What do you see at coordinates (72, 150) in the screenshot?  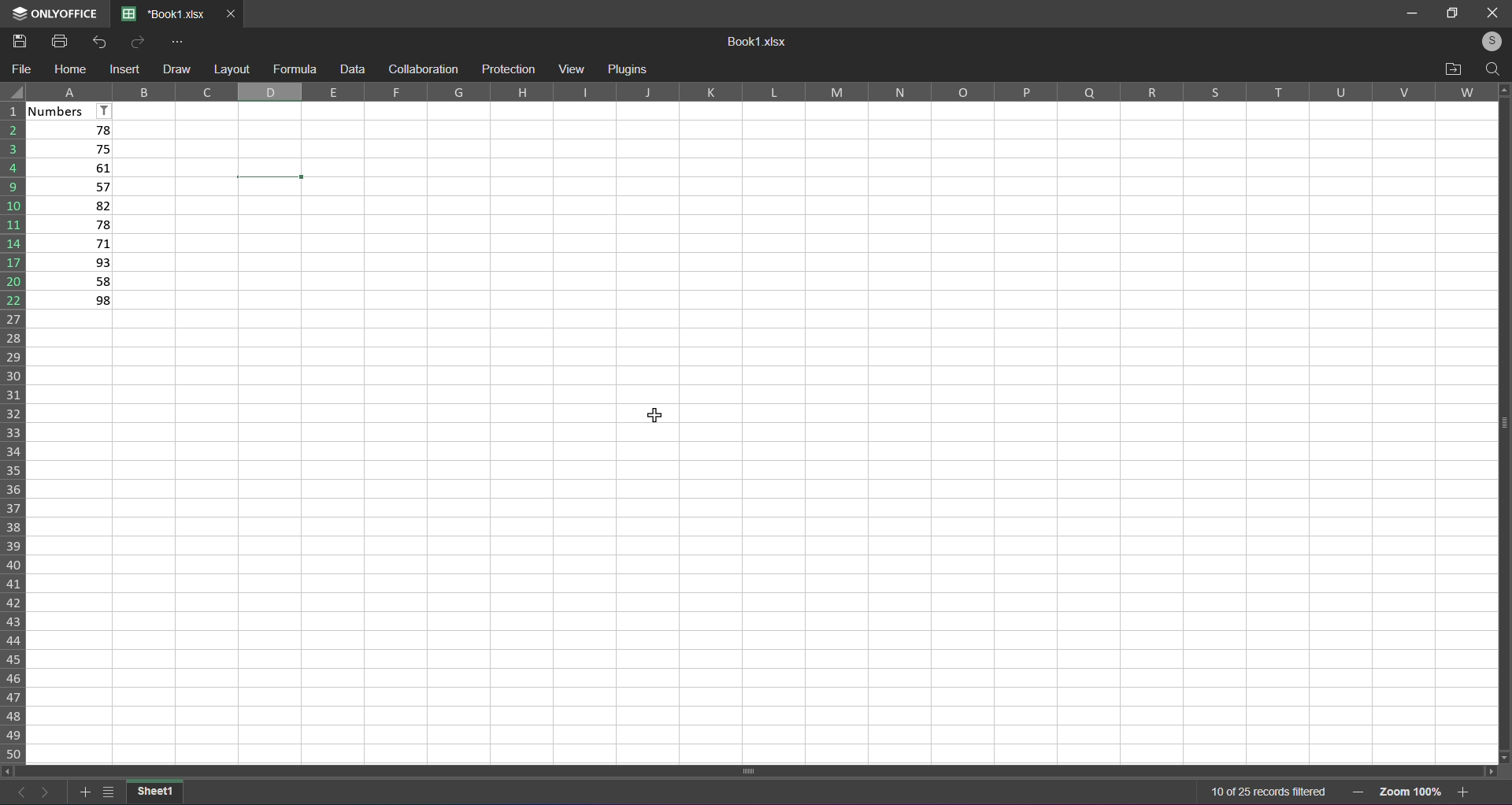 I see `75` at bounding box center [72, 150].